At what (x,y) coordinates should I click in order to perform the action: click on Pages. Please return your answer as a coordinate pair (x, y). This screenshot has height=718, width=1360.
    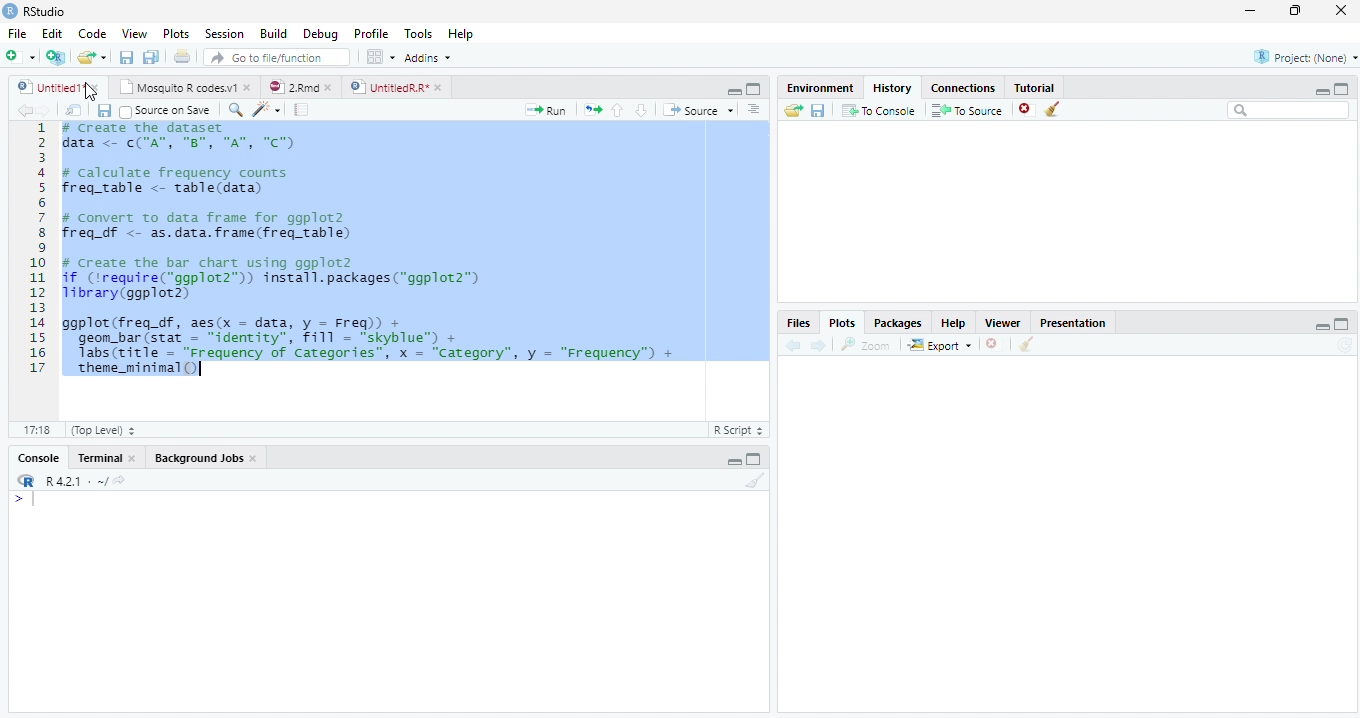
    Looking at the image, I should click on (301, 110).